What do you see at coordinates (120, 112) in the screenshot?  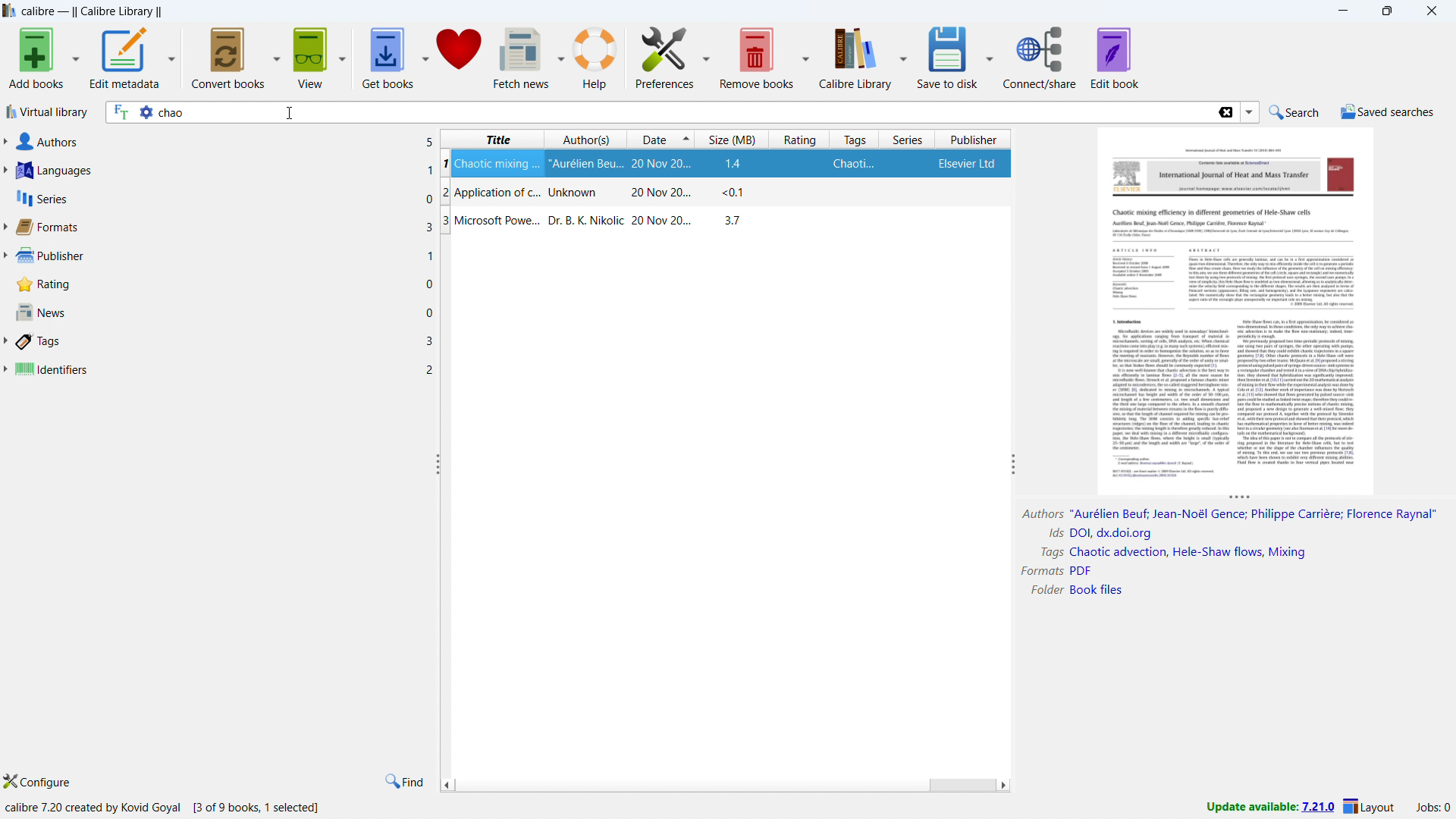 I see `search full text` at bounding box center [120, 112].